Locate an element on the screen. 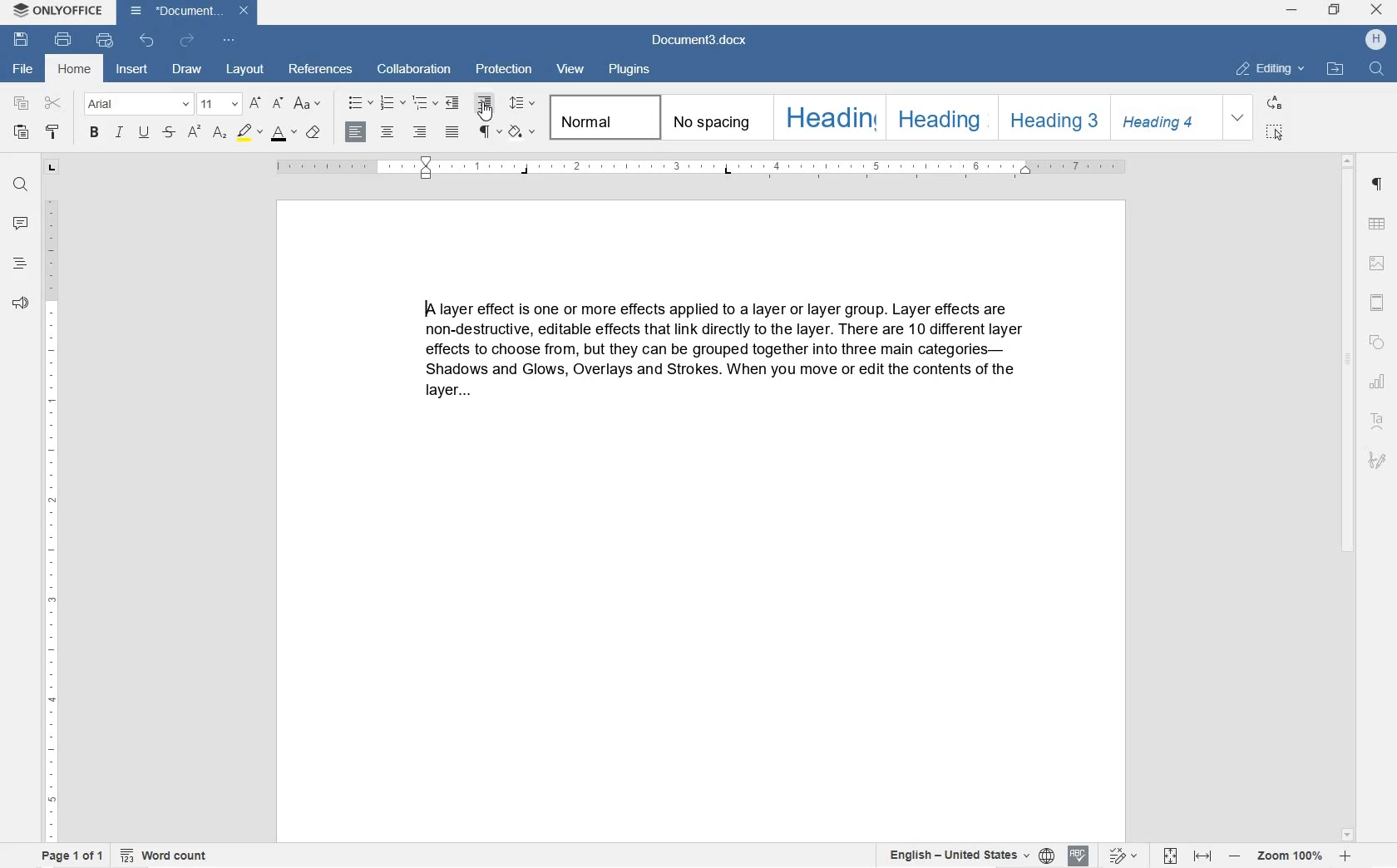 This screenshot has width=1397, height=868. NONPRINTING CHARACTERS is located at coordinates (490, 132).